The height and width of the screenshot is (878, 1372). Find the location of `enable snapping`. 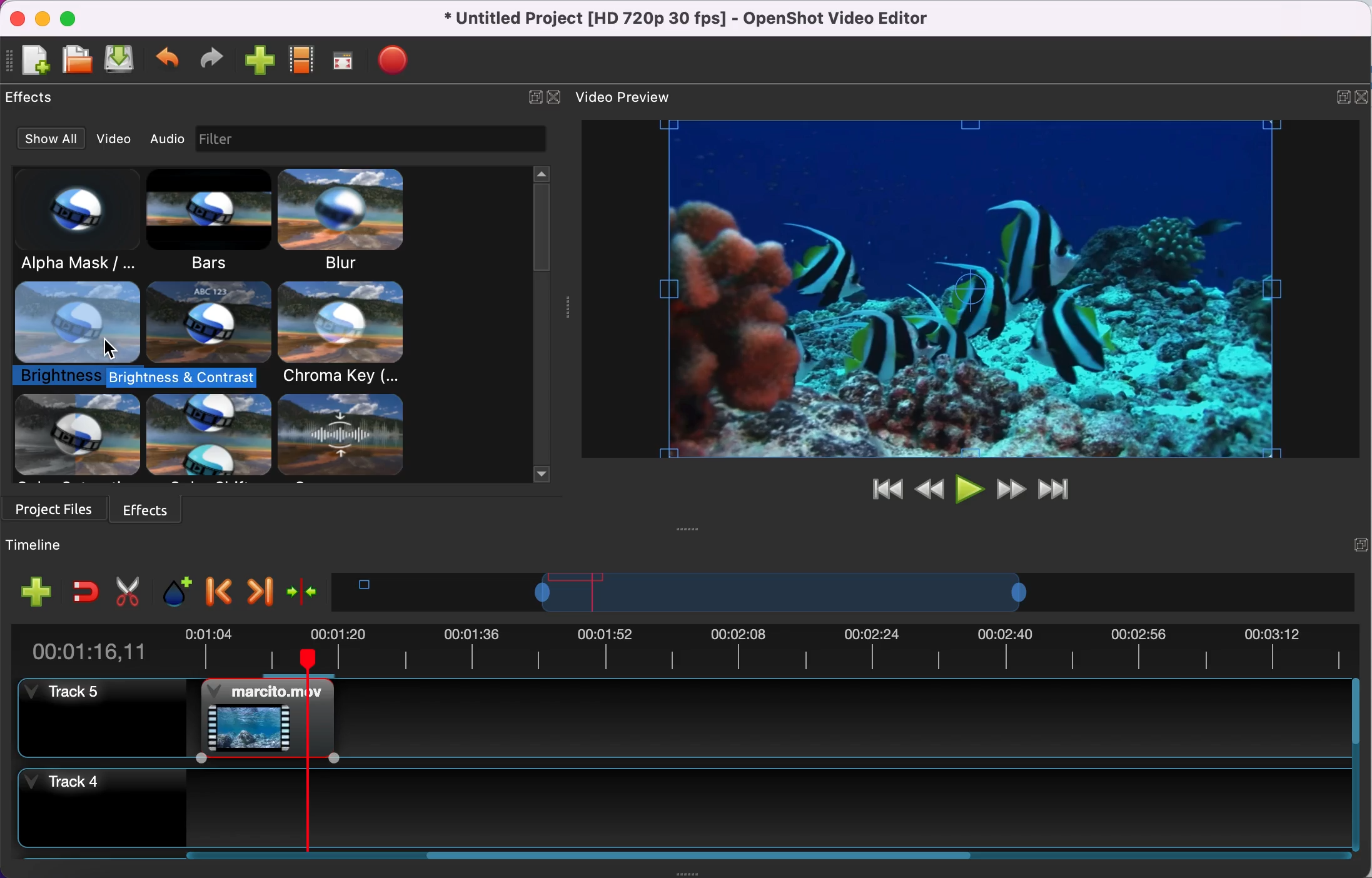

enable snapping is located at coordinates (85, 590).